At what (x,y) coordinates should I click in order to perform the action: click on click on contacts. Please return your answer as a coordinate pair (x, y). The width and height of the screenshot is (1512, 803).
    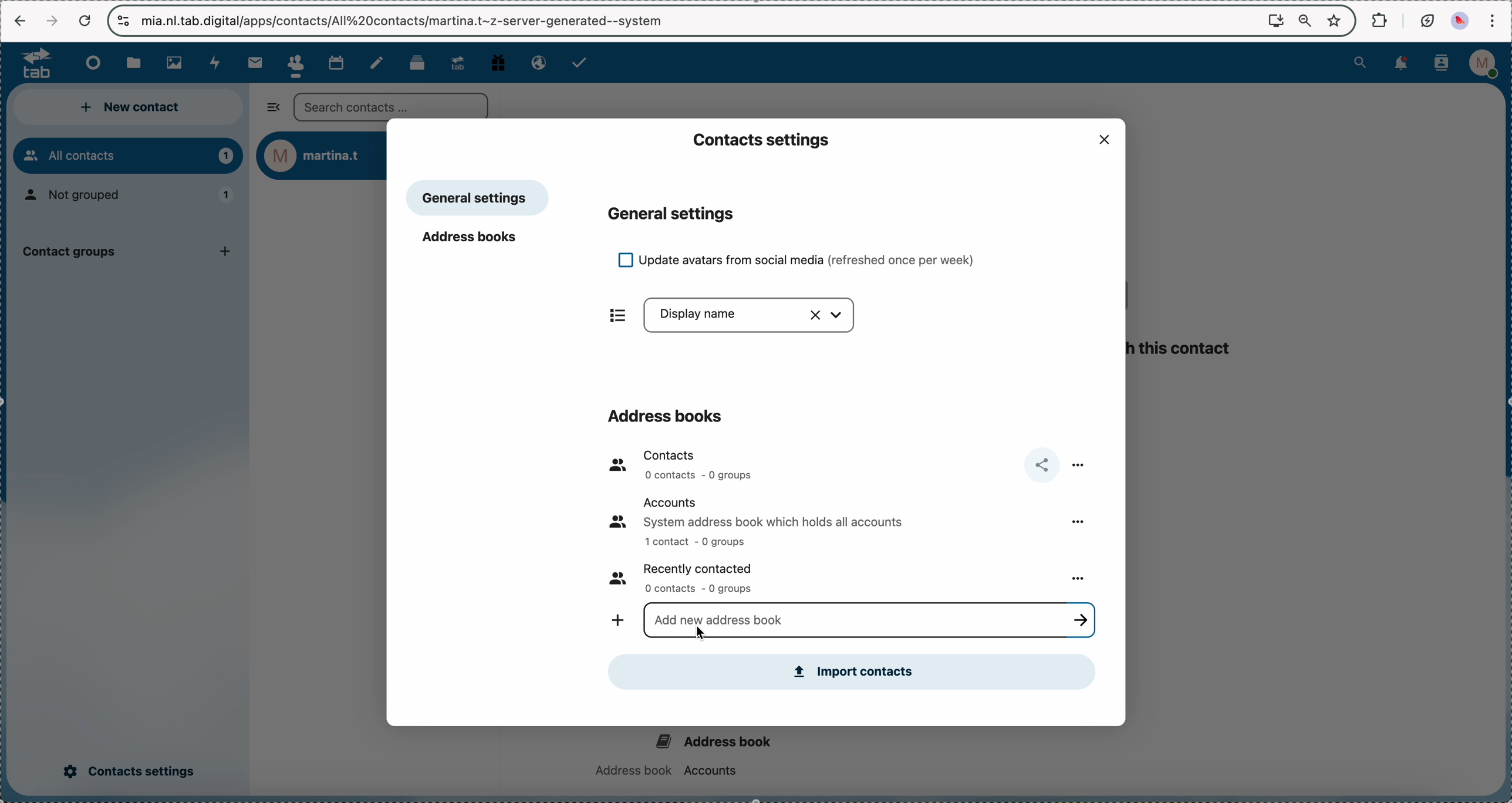
    Looking at the image, I should click on (294, 63).